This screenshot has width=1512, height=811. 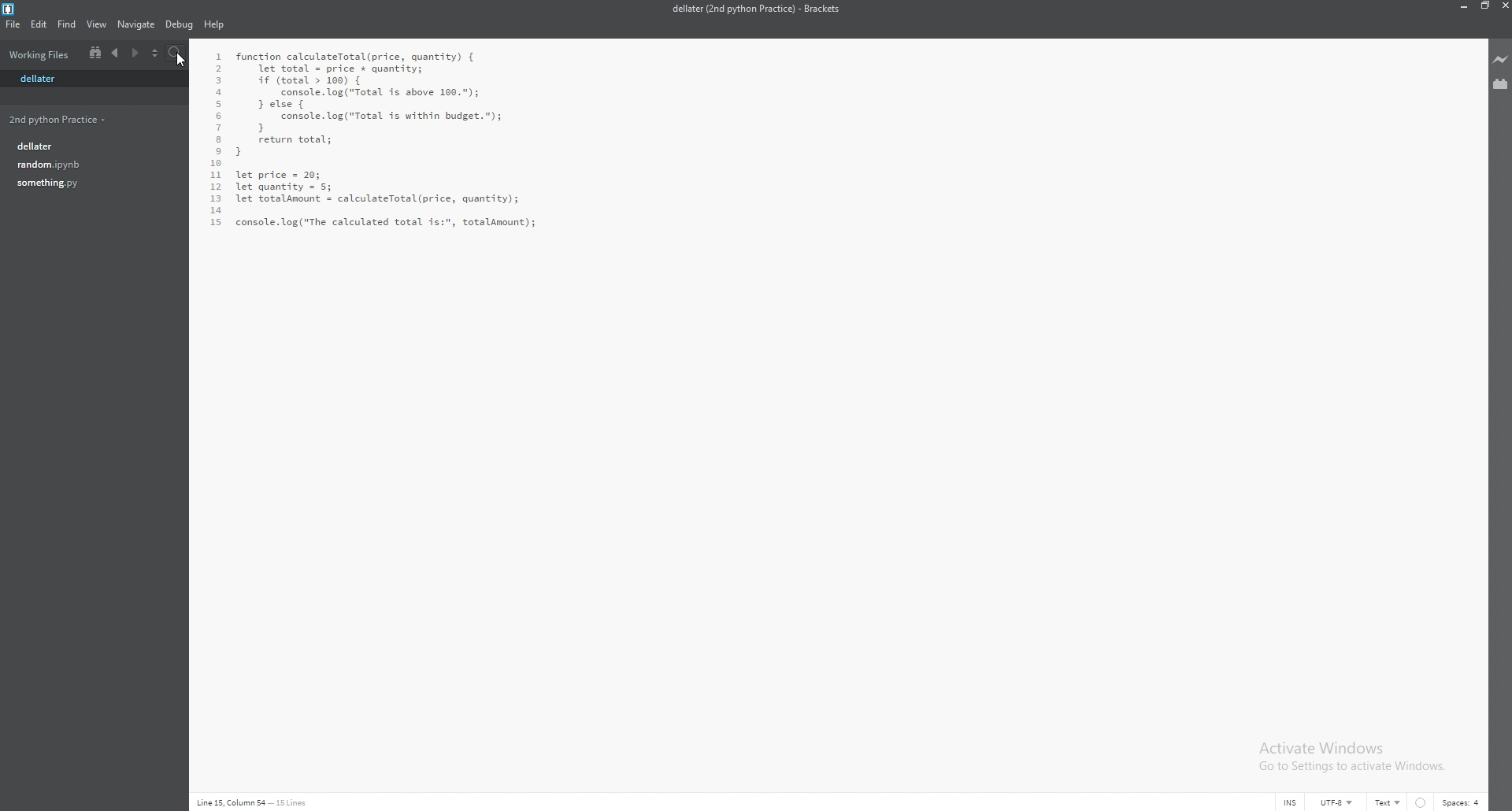 I want to click on split view, so click(x=95, y=54).